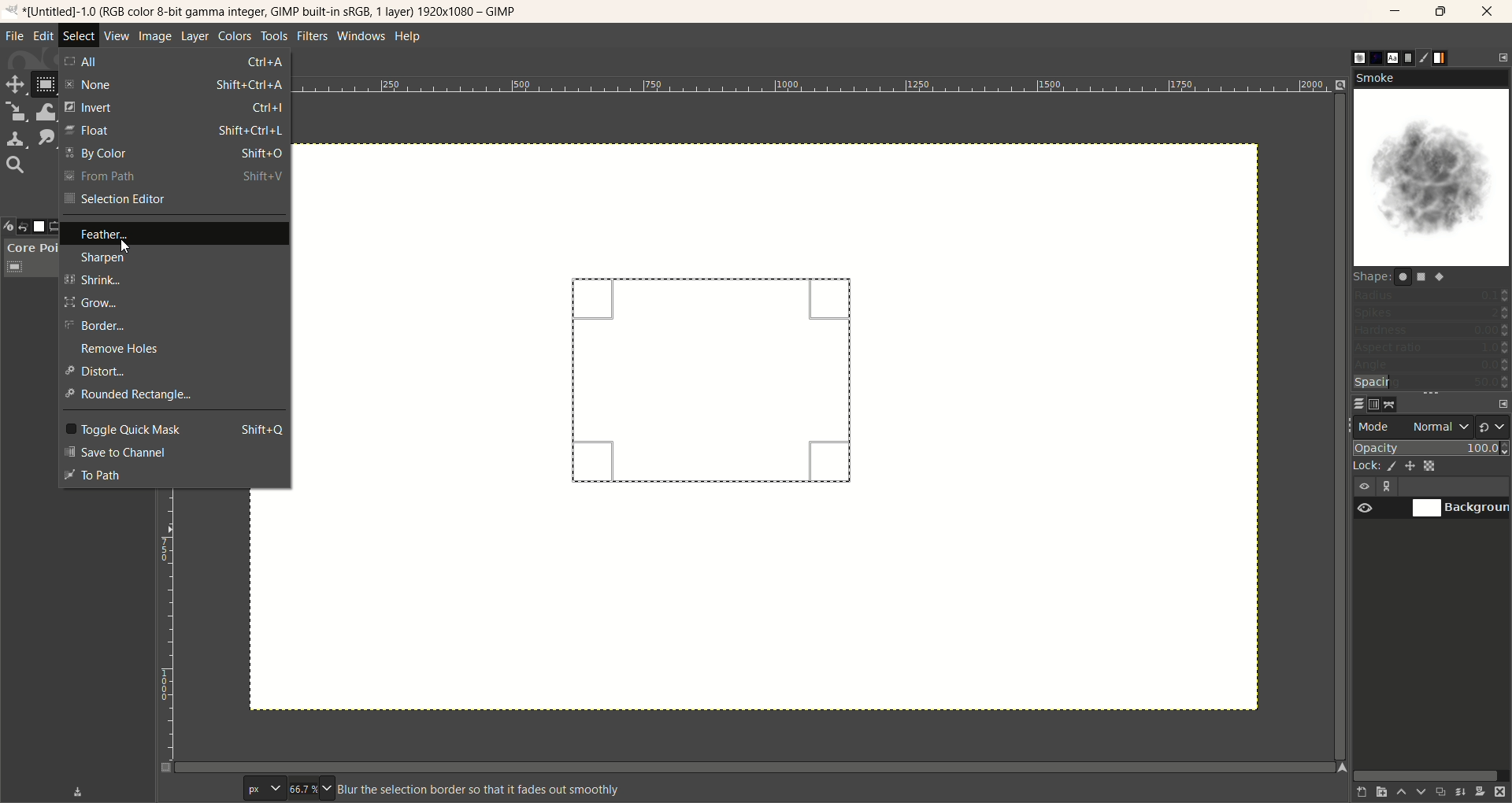 This screenshot has height=803, width=1512. Describe the element at coordinates (177, 63) in the screenshot. I see `all` at that location.